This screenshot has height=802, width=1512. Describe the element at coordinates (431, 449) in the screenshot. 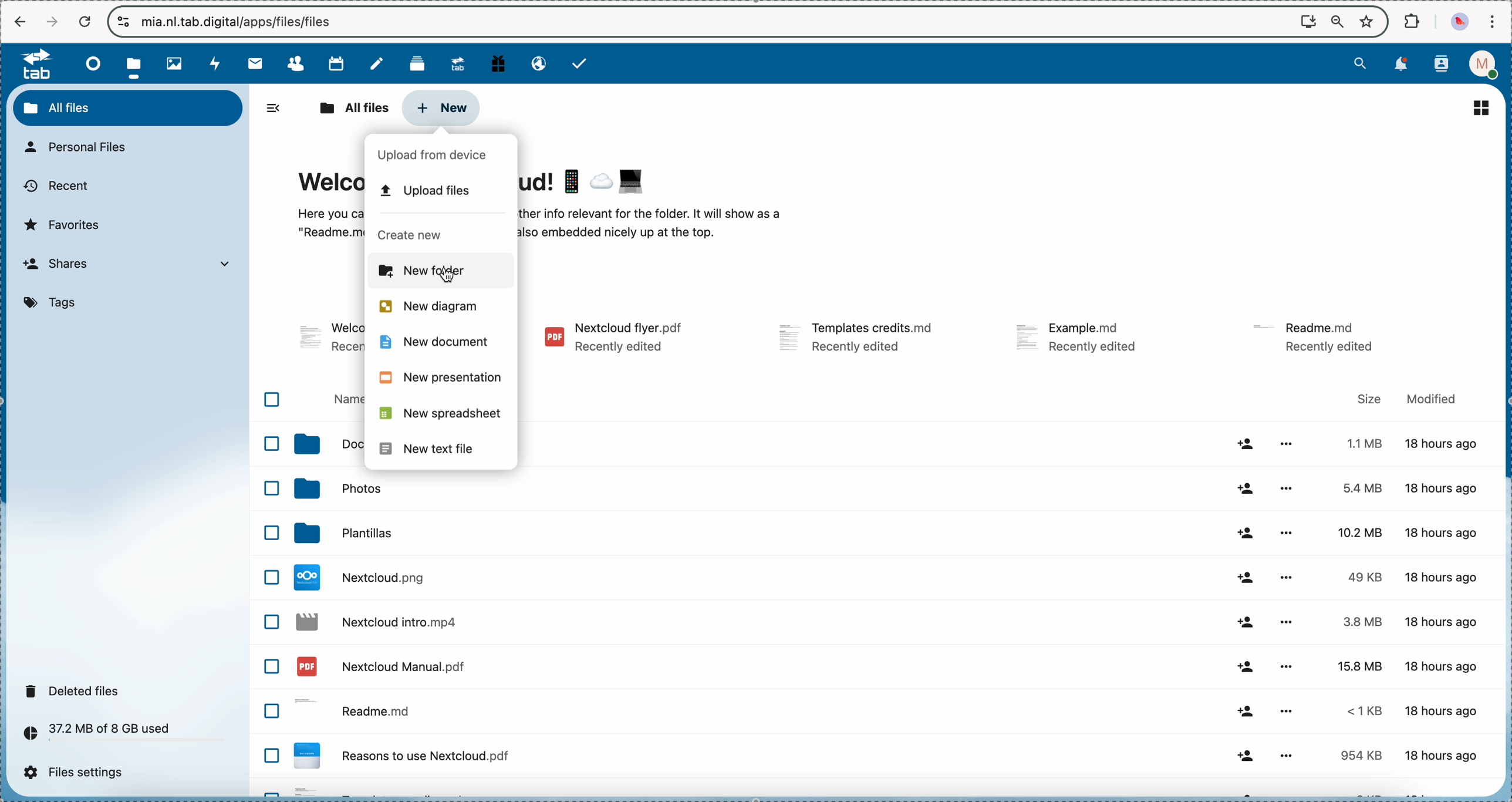

I see `new text file` at that location.